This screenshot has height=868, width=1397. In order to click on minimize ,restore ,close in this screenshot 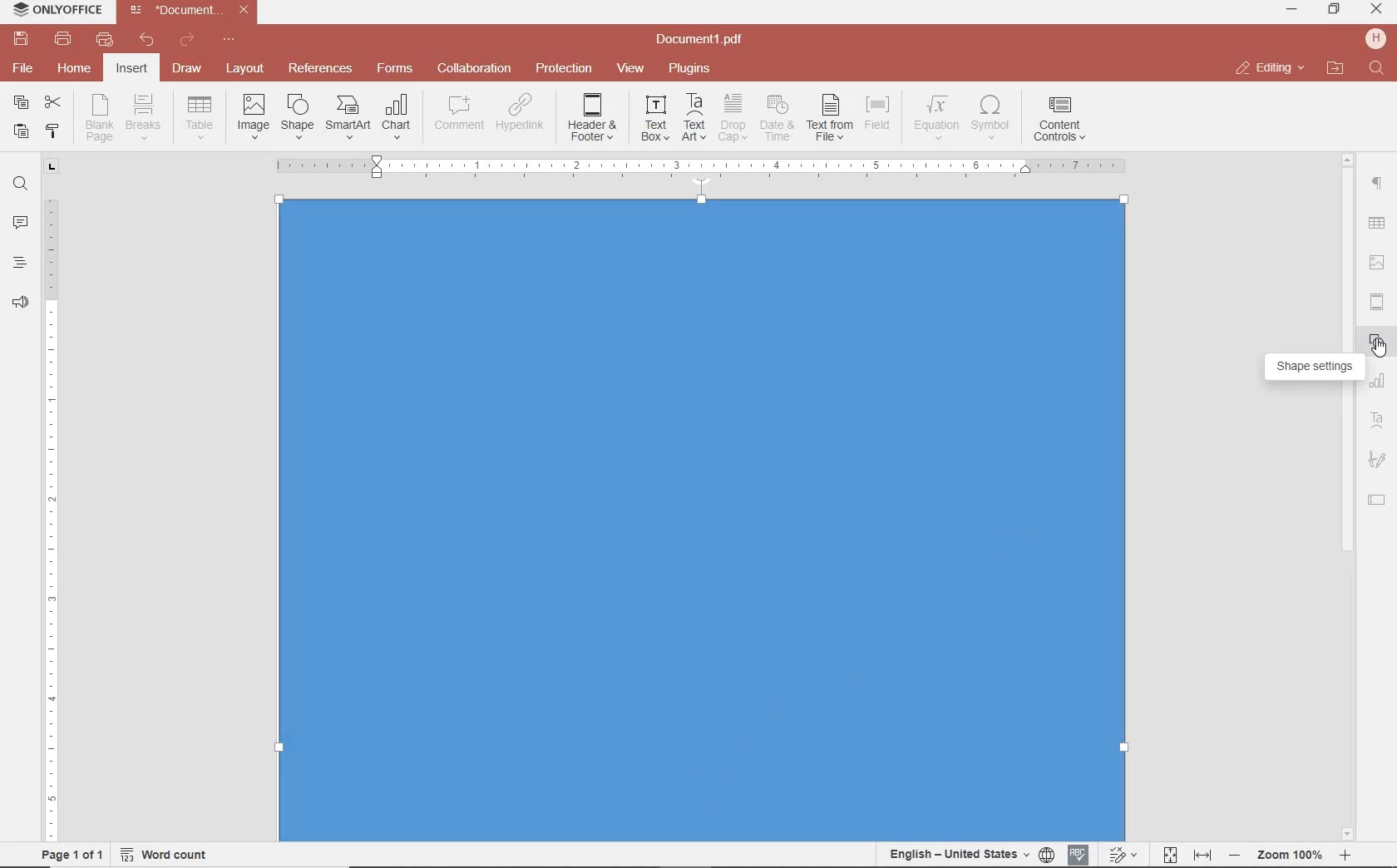, I will do `click(1380, 10)`.